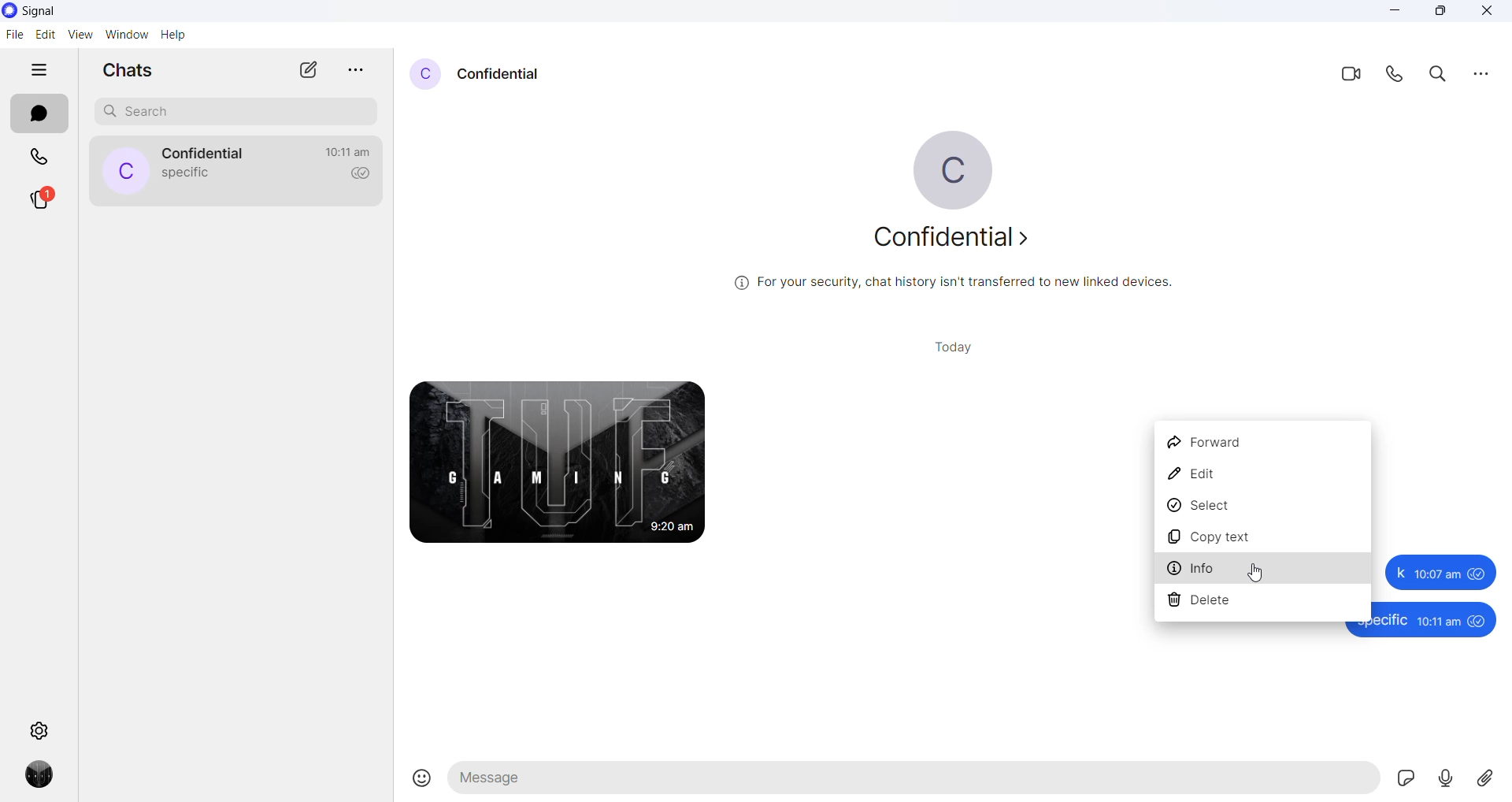 The width and height of the screenshot is (1512, 802). What do you see at coordinates (960, 170) in the screenshot?
I see `profile picture` at bounding box center [960, 170].